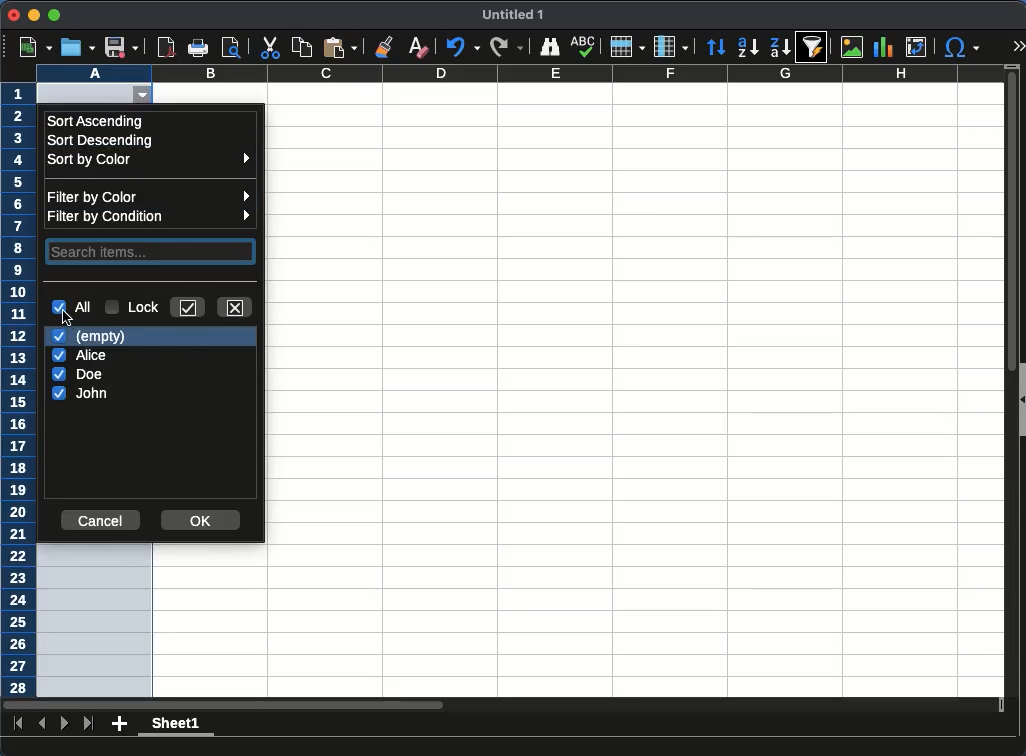 The image size is (1026, 756). I want to click on first sheet, so click(17, 722).